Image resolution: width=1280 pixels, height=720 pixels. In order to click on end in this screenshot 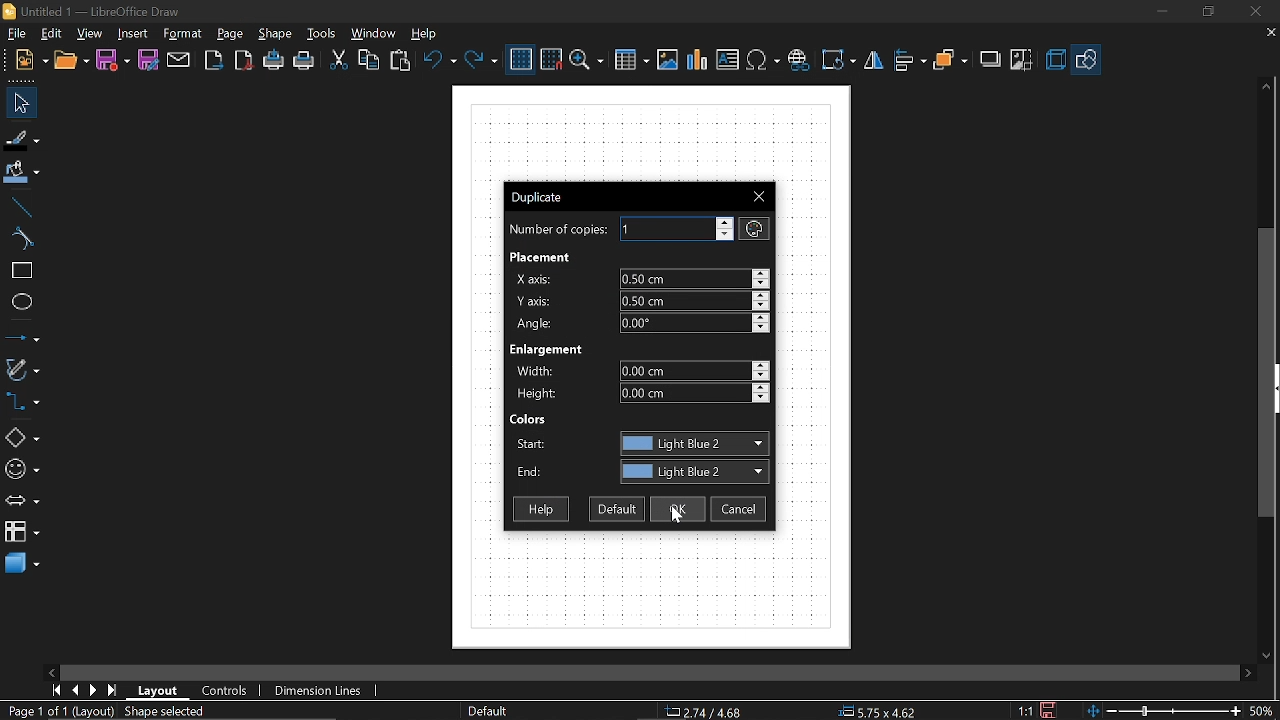, I will do `click(693, 471)`.